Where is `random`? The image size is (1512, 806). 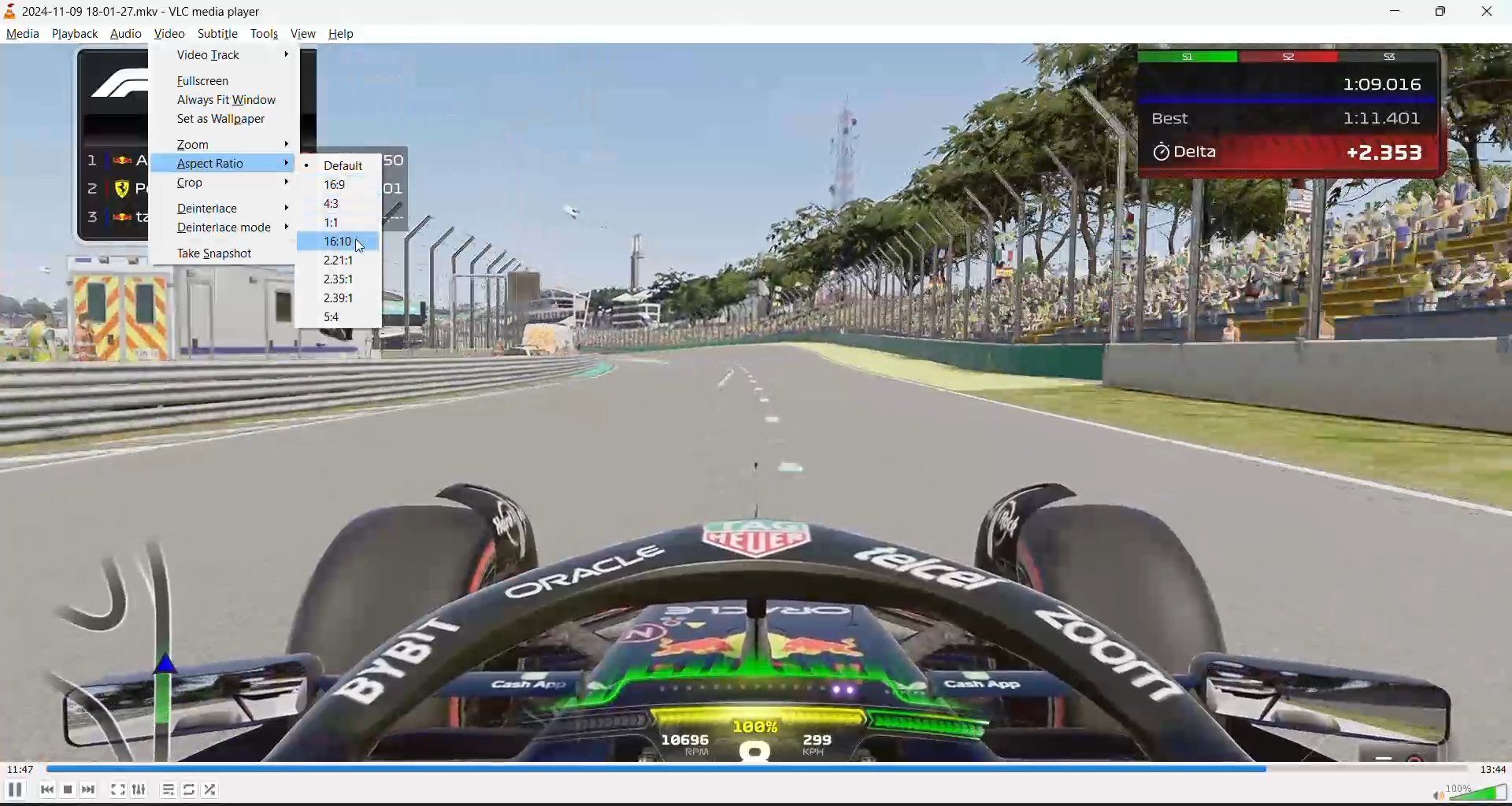 random is located at coordinates (217, 788).